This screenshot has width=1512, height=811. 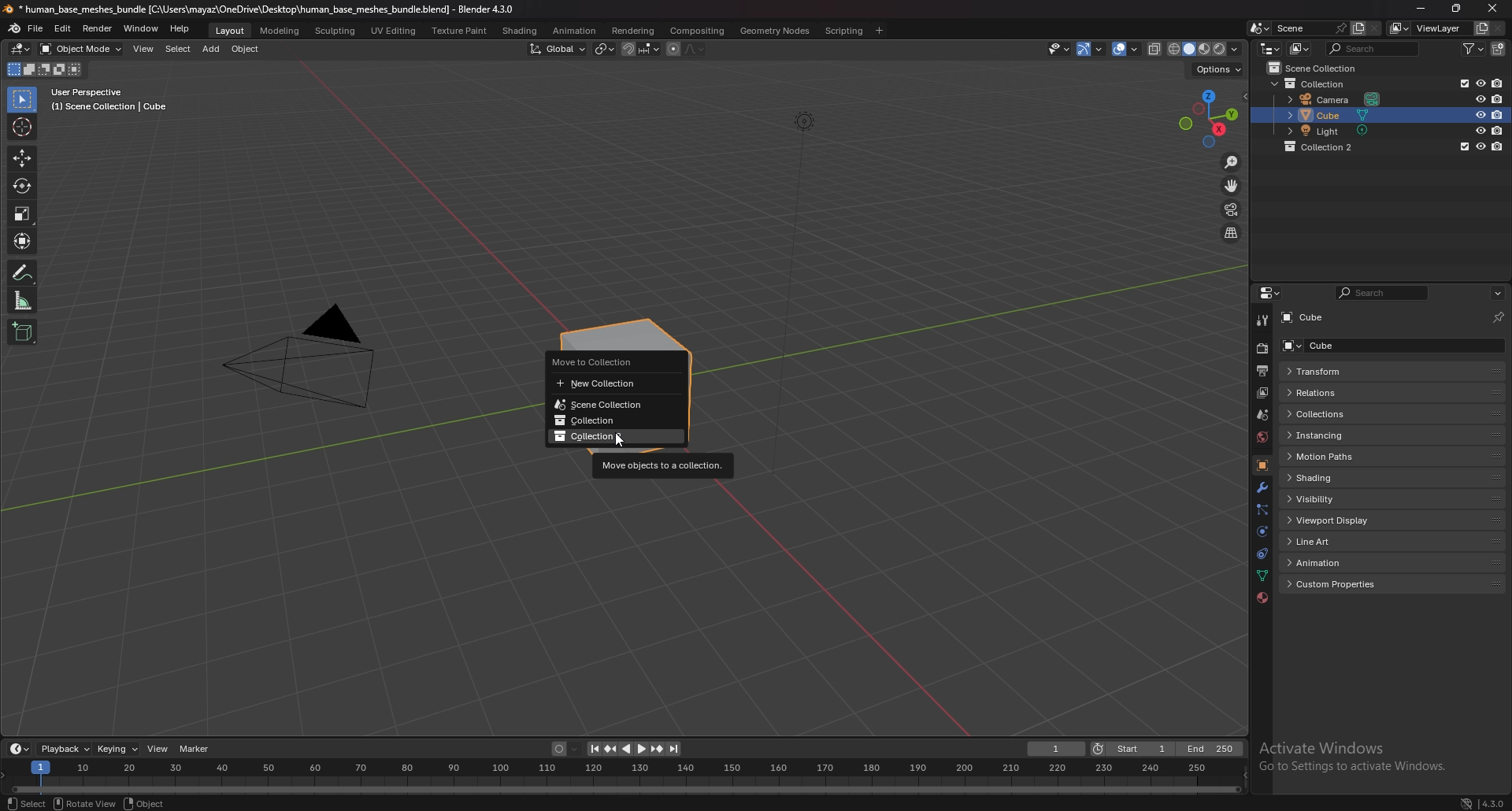 What do you see at coordinates (593, 749) in the screenshot?
I see `jump to endpoint` at bounding box center [593, 749].